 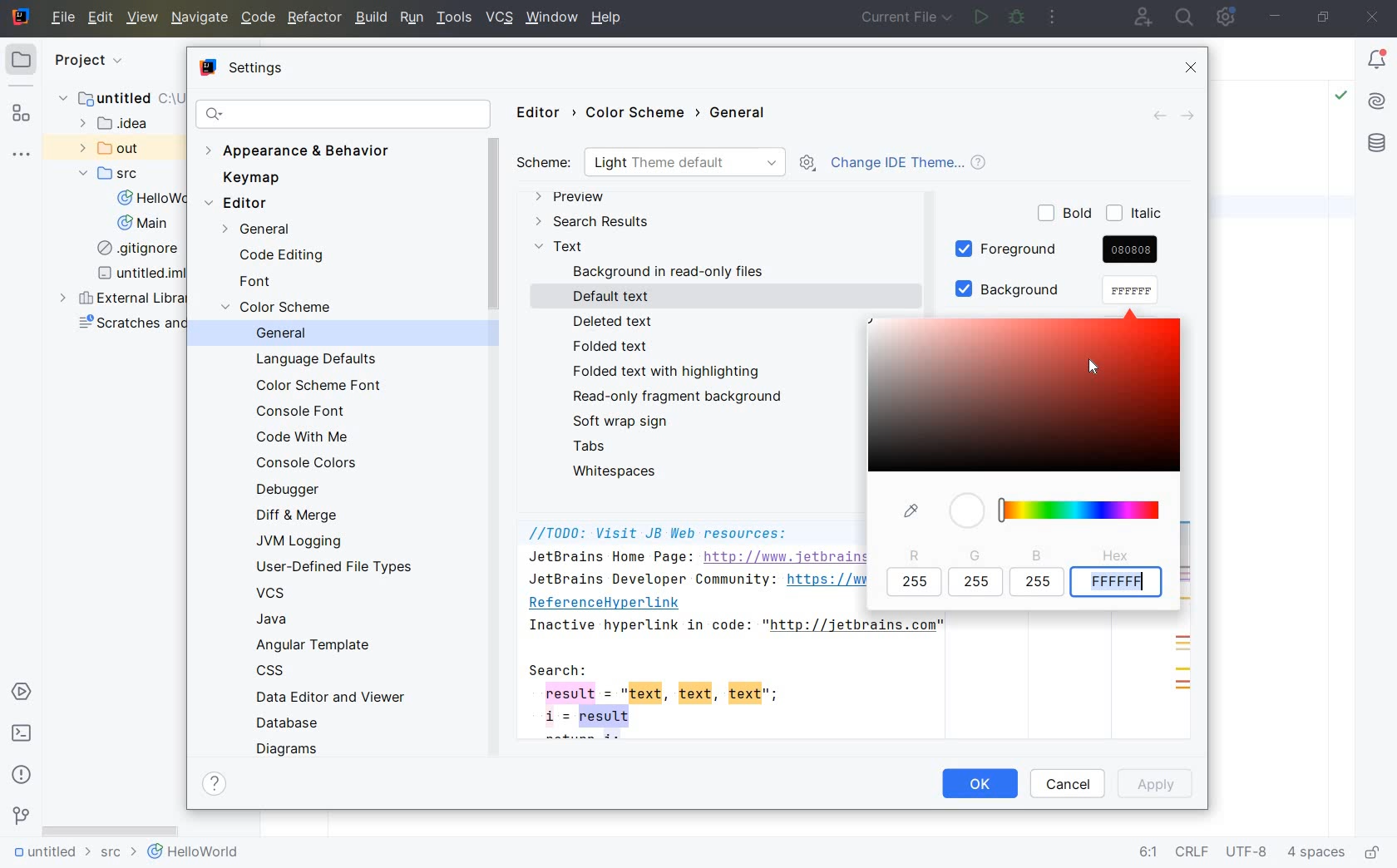 What do you see at coordinates (22, 734) in the screenshot?
I see `terminal` at bounding box center [22, 734].